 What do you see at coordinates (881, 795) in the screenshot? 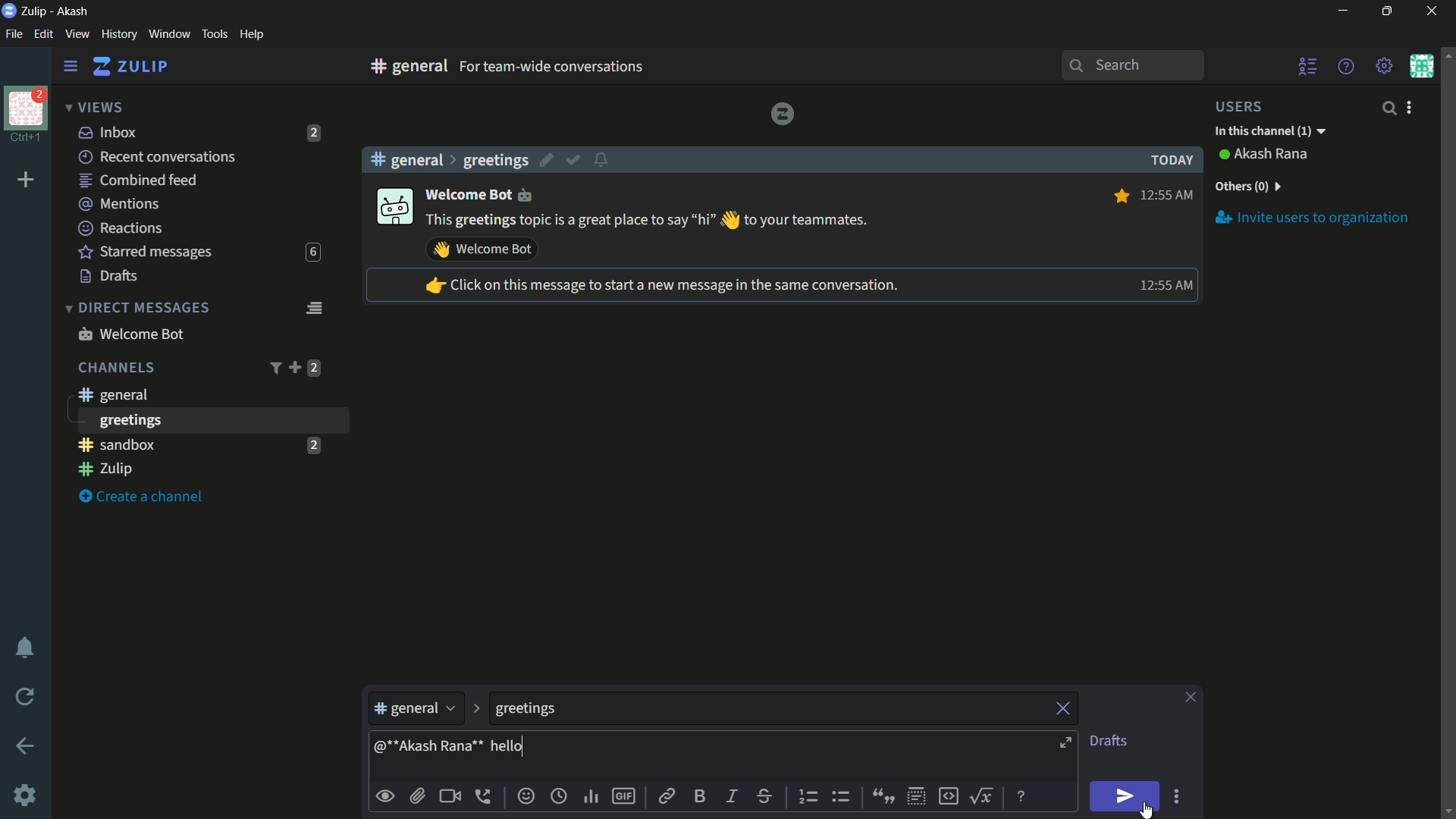
I see `quote` at bounding box center [881, 795].